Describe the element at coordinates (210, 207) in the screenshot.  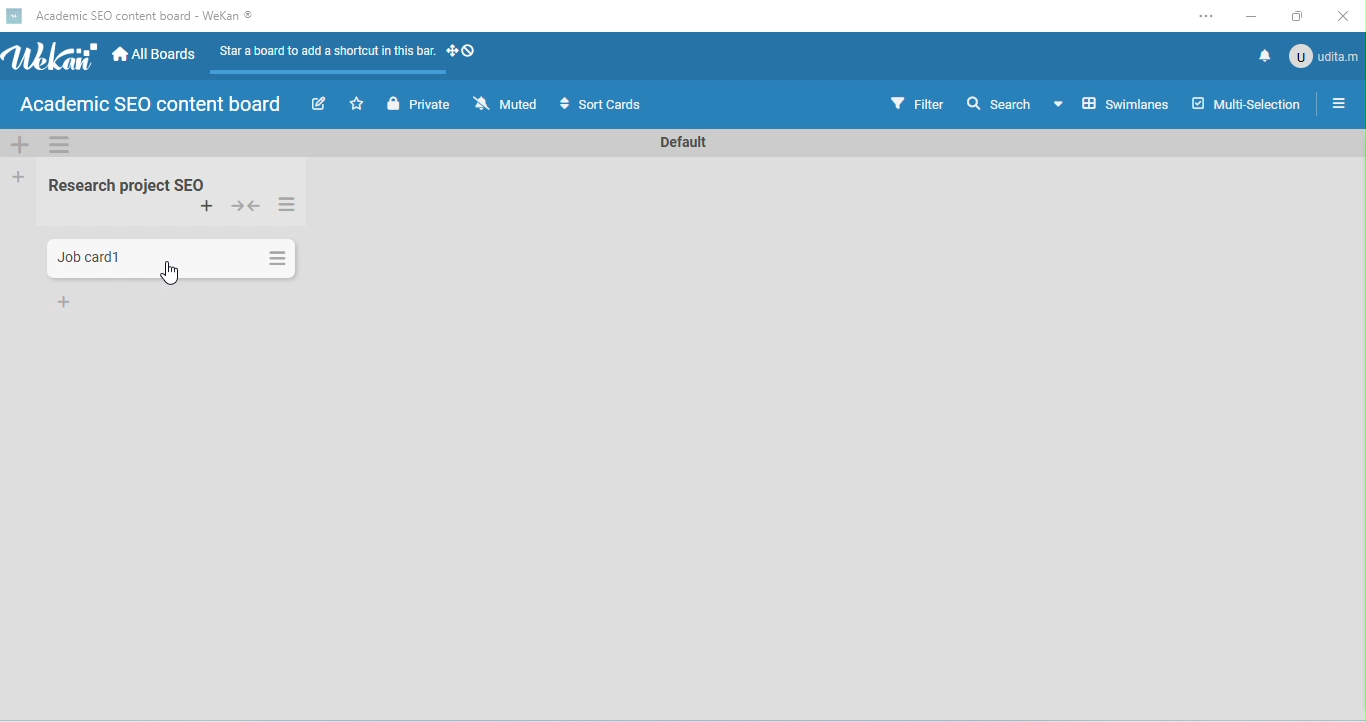
I see `add card to top of list` at that location.